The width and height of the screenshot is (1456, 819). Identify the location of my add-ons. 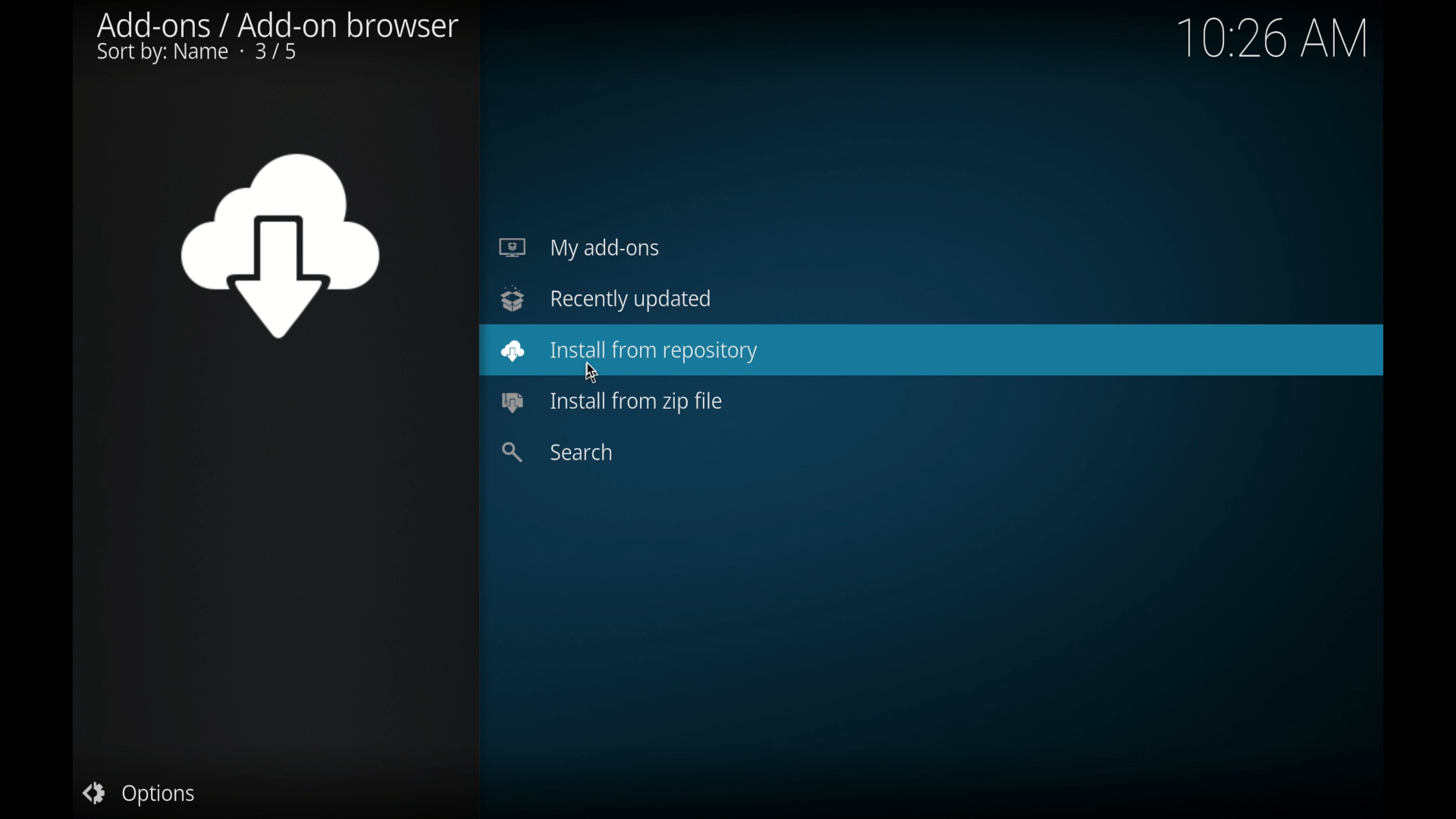
(579, 248).